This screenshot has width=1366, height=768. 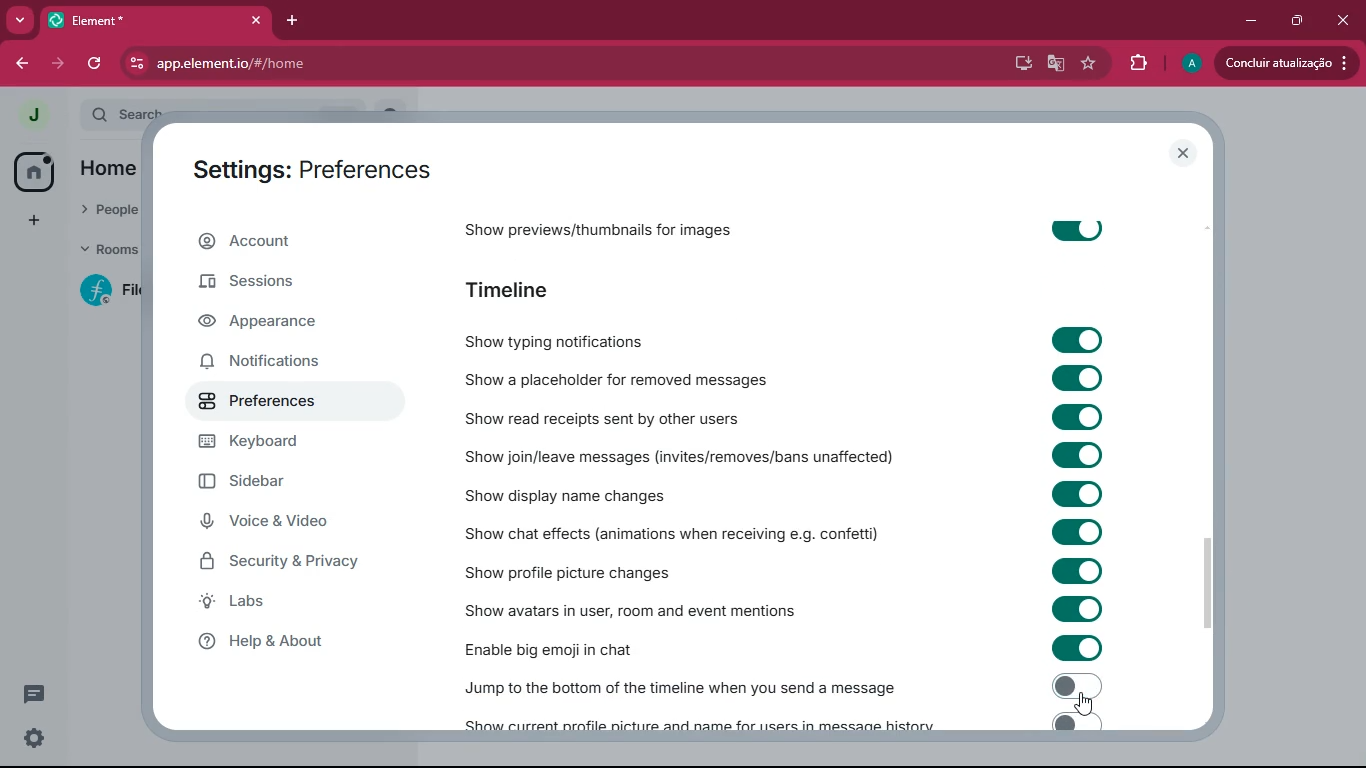 What do you see at coordinates (1081, 648) in the screenshot?
I see `toggle on ` at bounding box center [1081, 648].